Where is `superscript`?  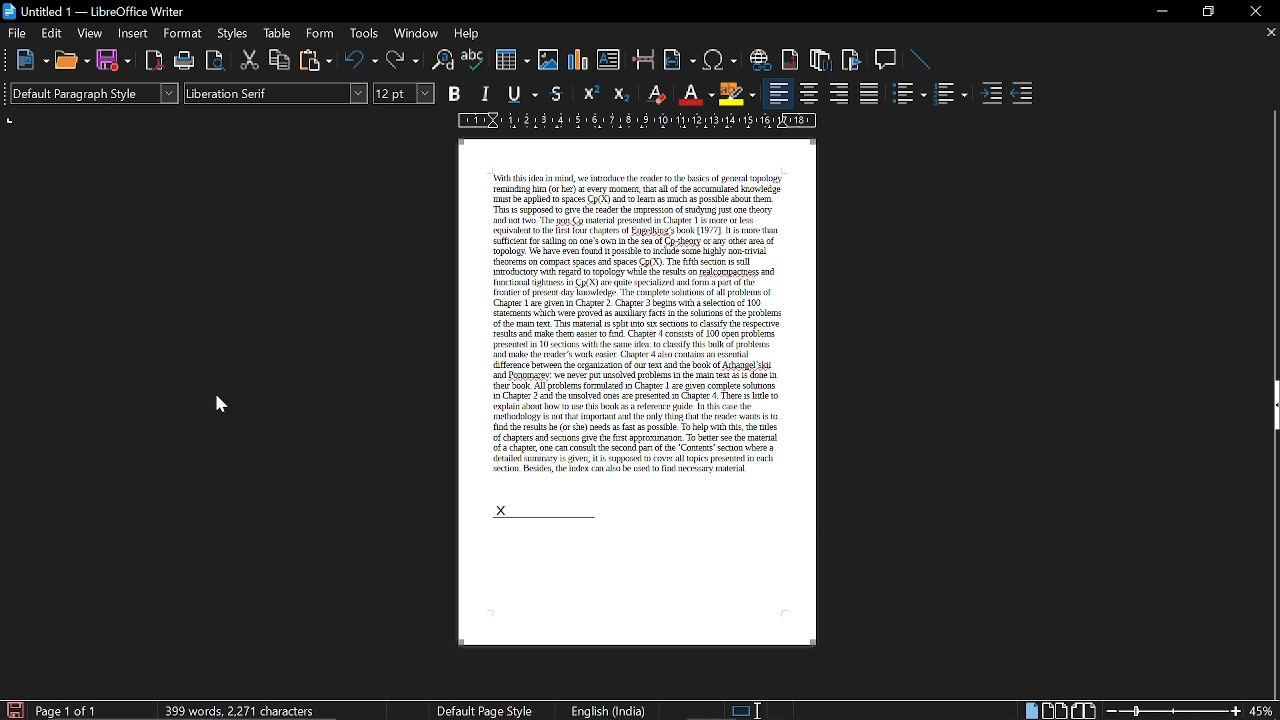 superscript is located at coordinates (590, 94).